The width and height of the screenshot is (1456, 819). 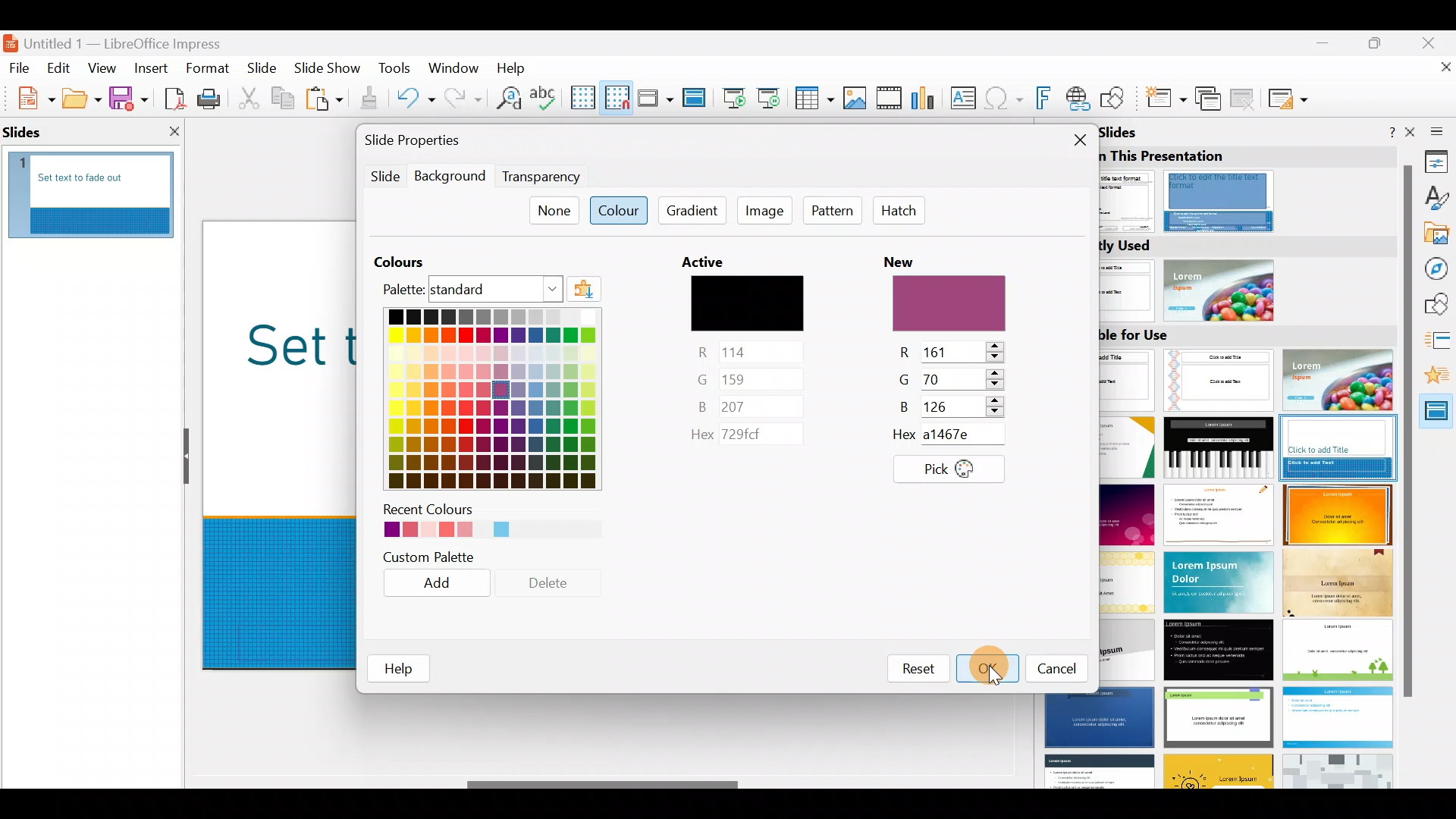 I want to click on Slide pane, so click(x=100, y=183).